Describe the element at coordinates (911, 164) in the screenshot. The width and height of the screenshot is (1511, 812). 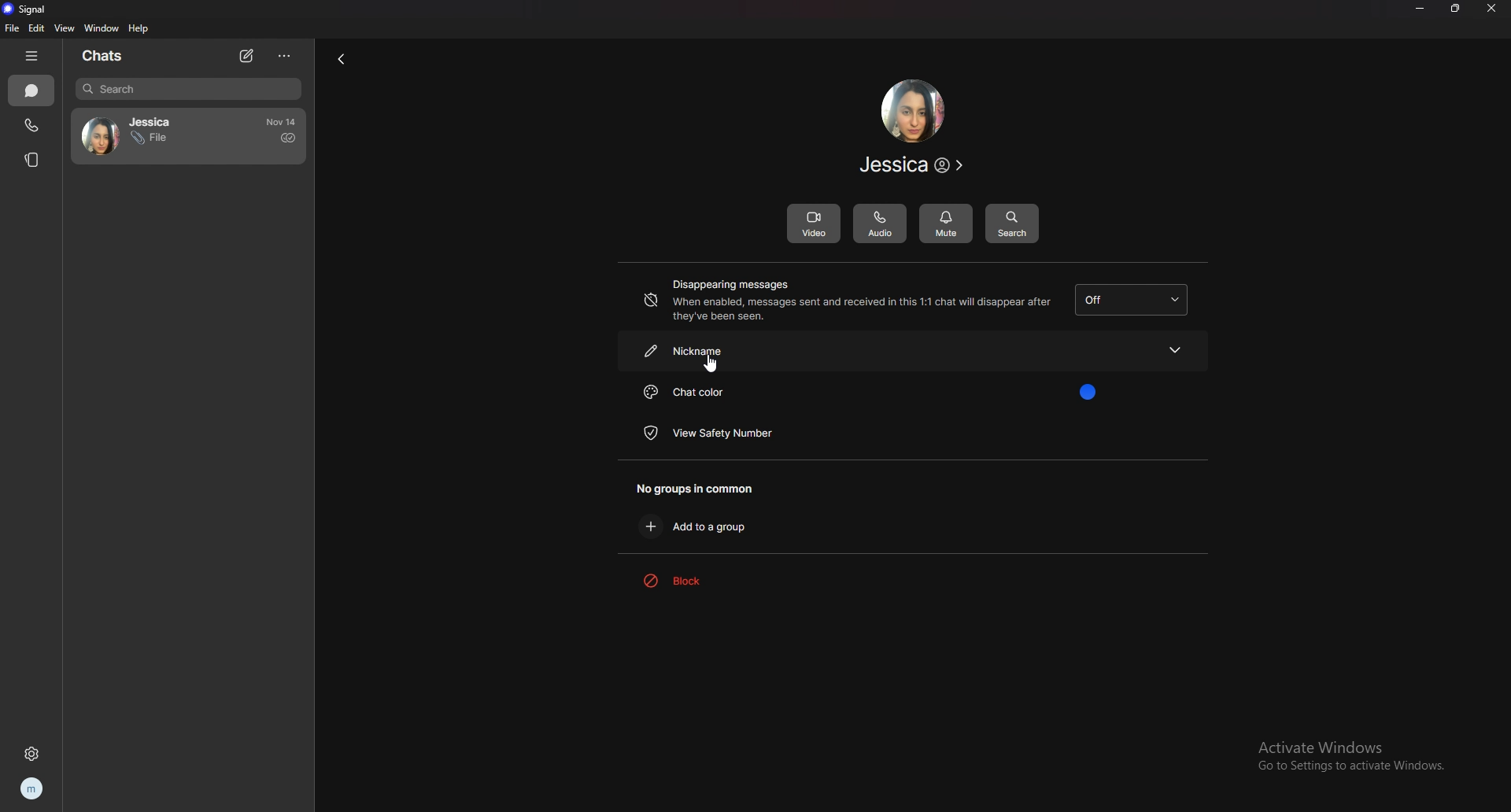
I see `contact info` at that location.